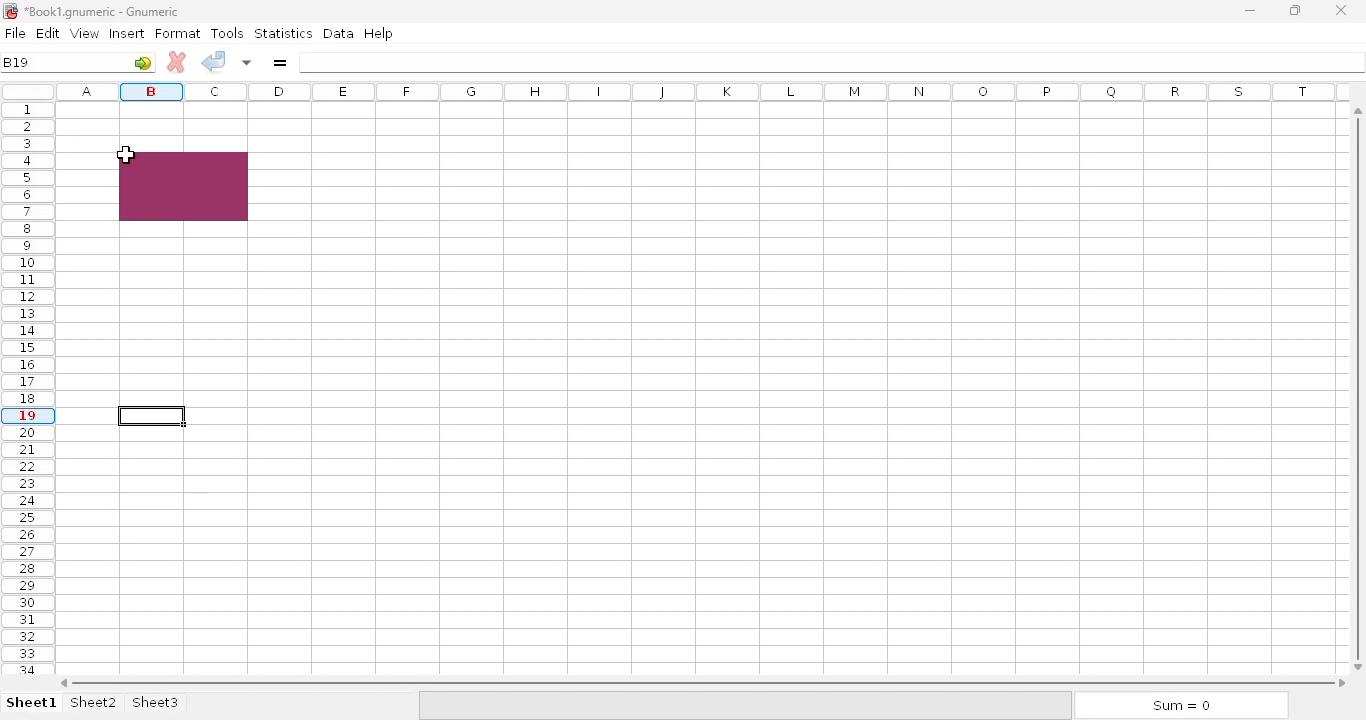  Describe the element at coordinates (178, 61) in the screenshot. I see `cancel change` at that location.